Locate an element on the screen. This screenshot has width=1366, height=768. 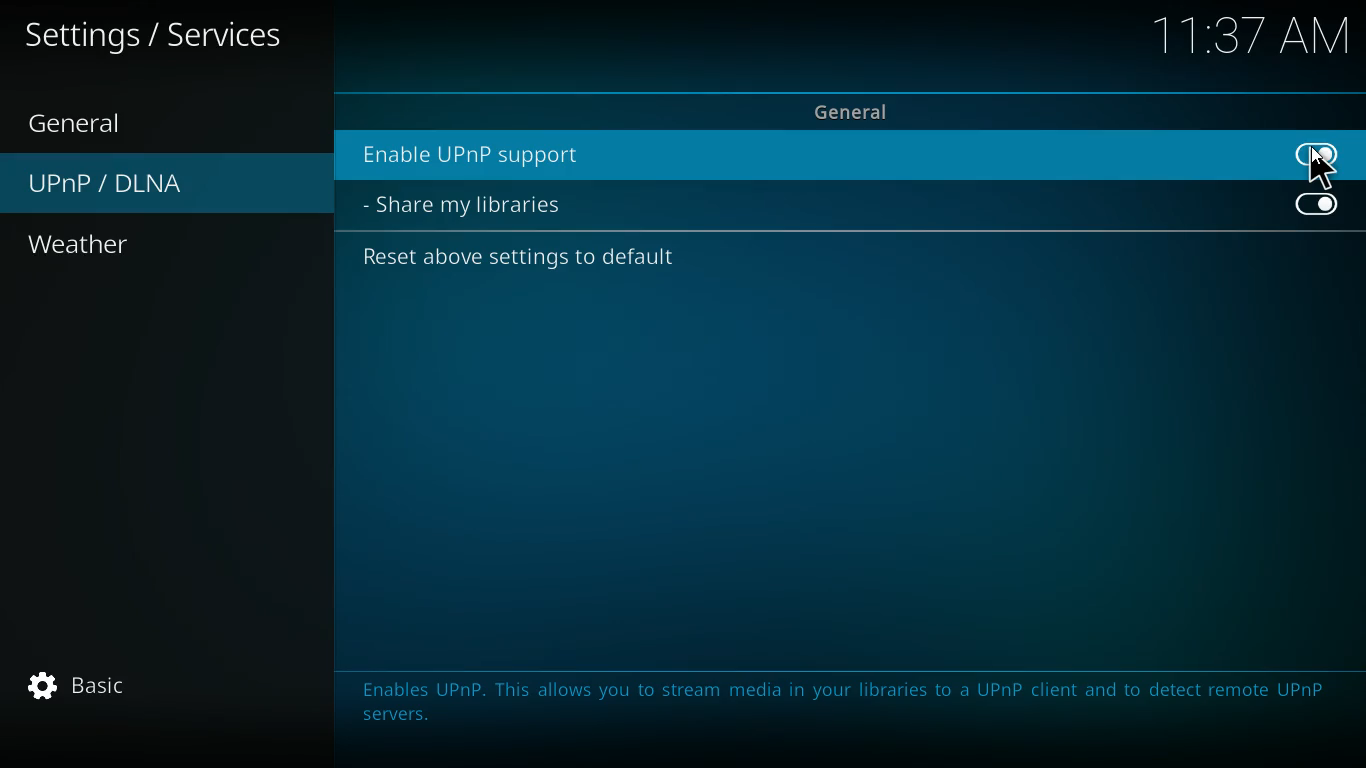
settings / services is located at coordinates (159, 36).